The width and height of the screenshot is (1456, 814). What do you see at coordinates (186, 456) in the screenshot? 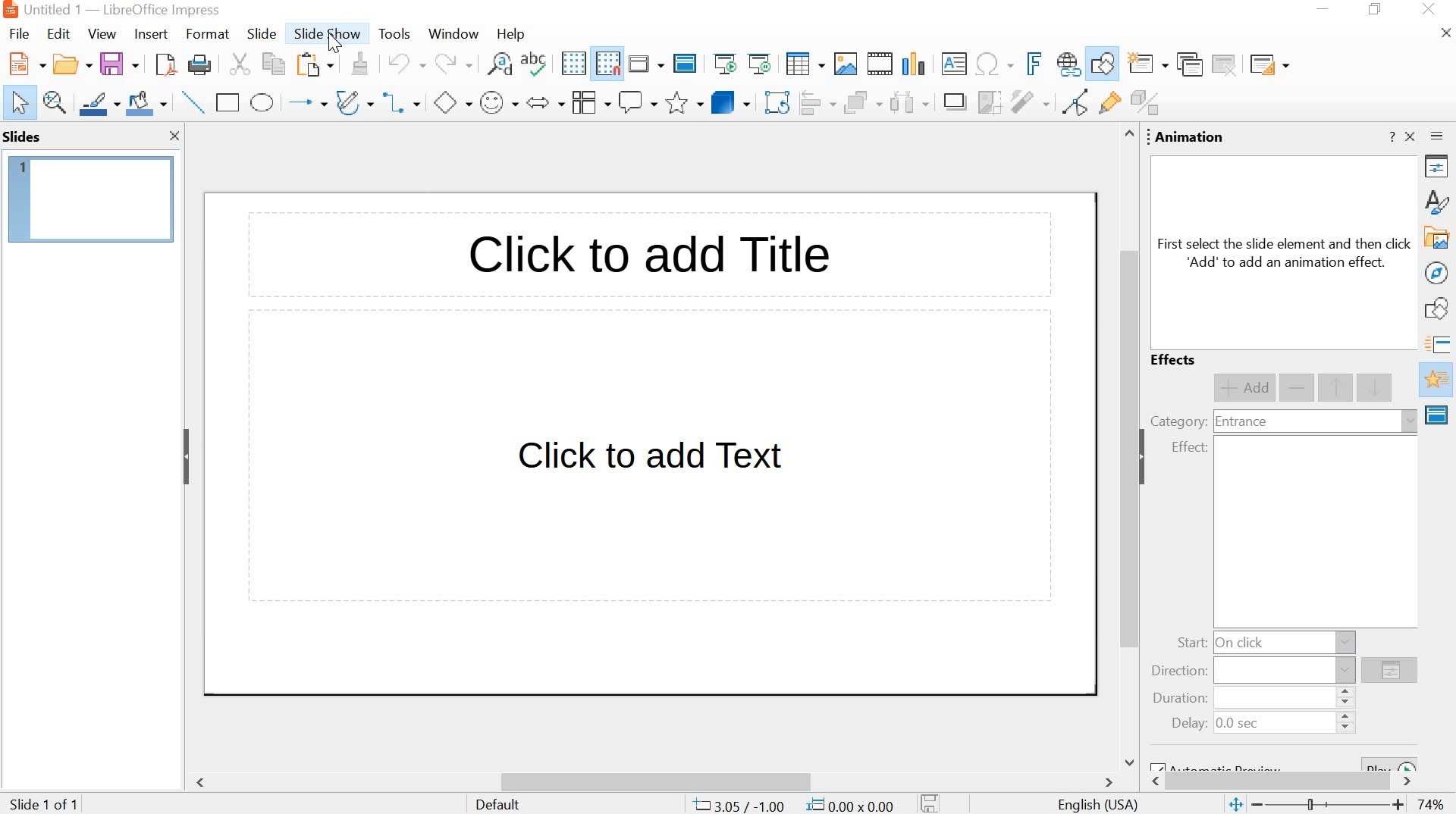
I see `collapse` at bounding box center [186, 456].